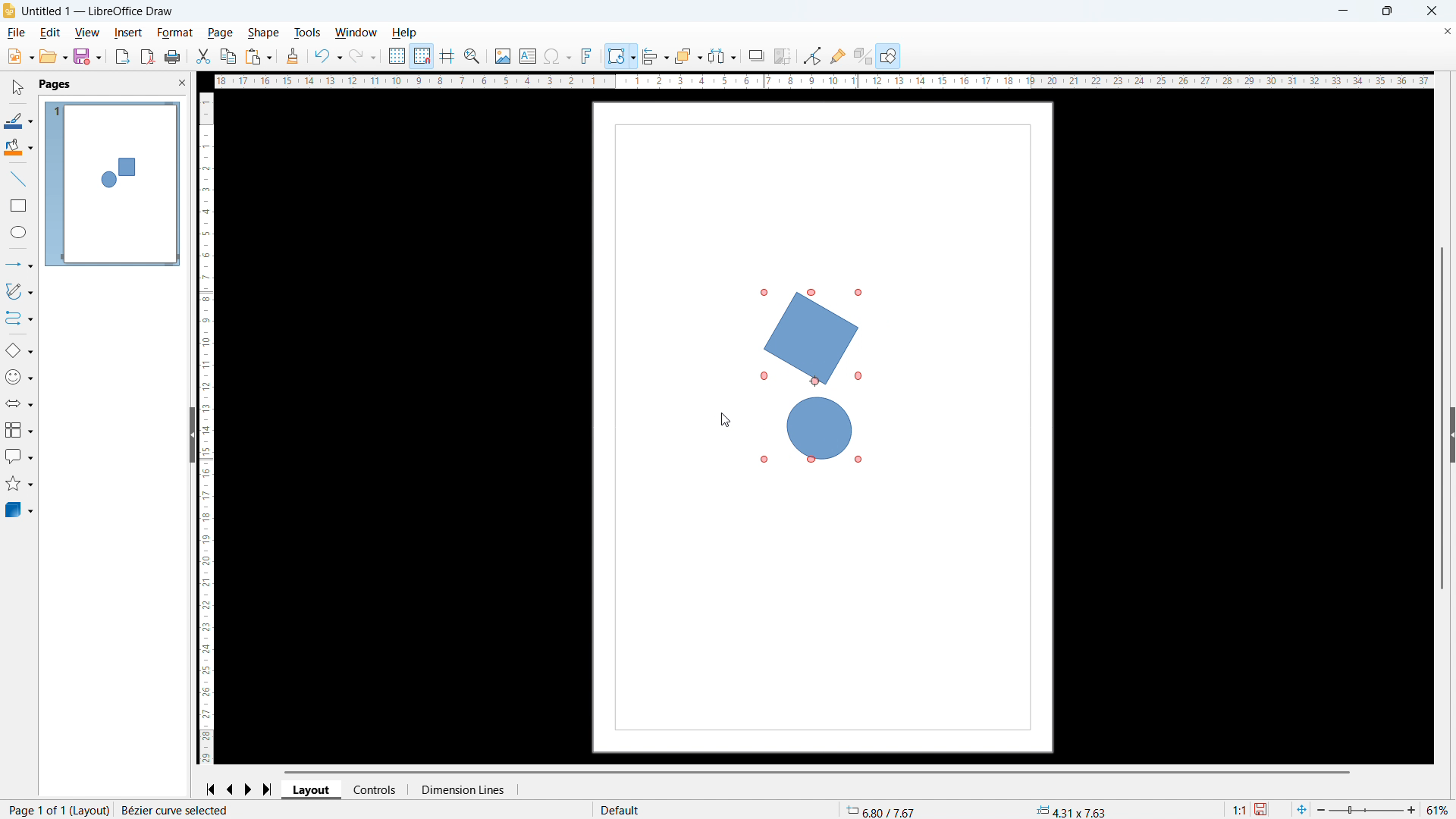 The image size is (1456, 819). I want to click on Zoom level , so click(1437, 809).